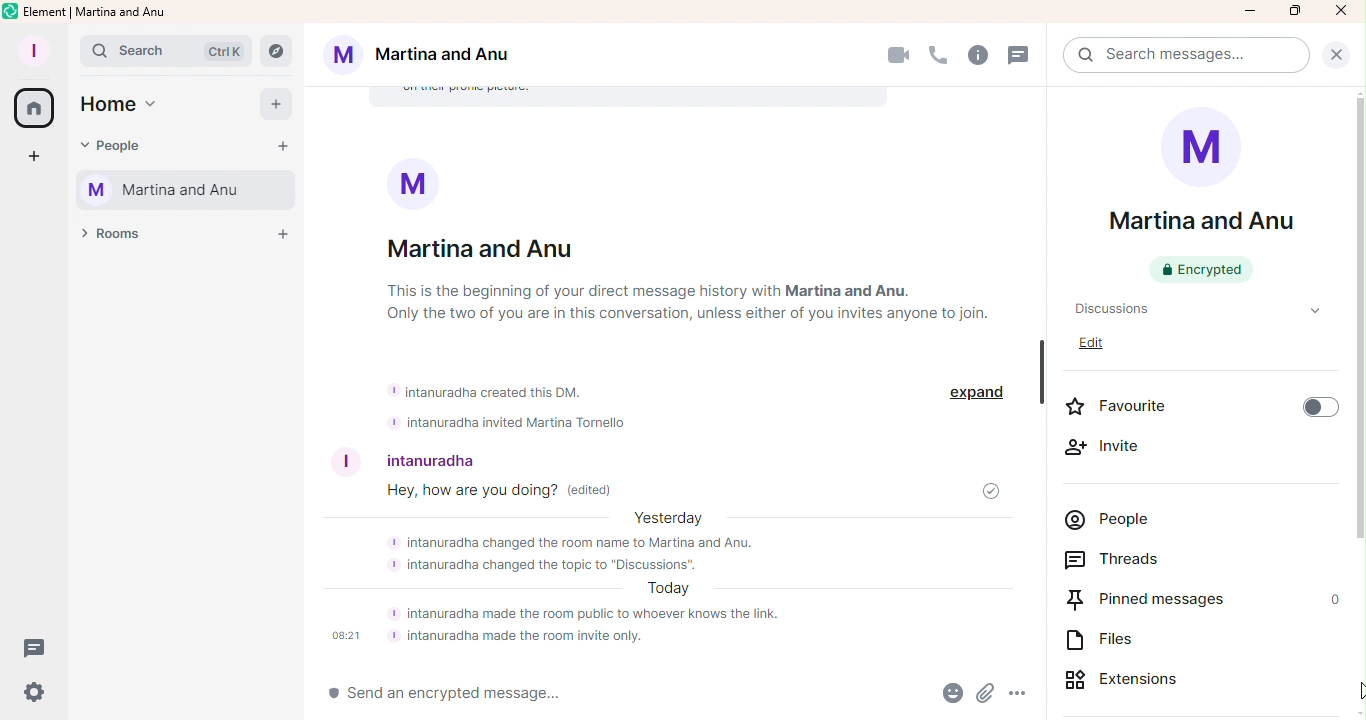  I want to click on People, so click(126, 149).